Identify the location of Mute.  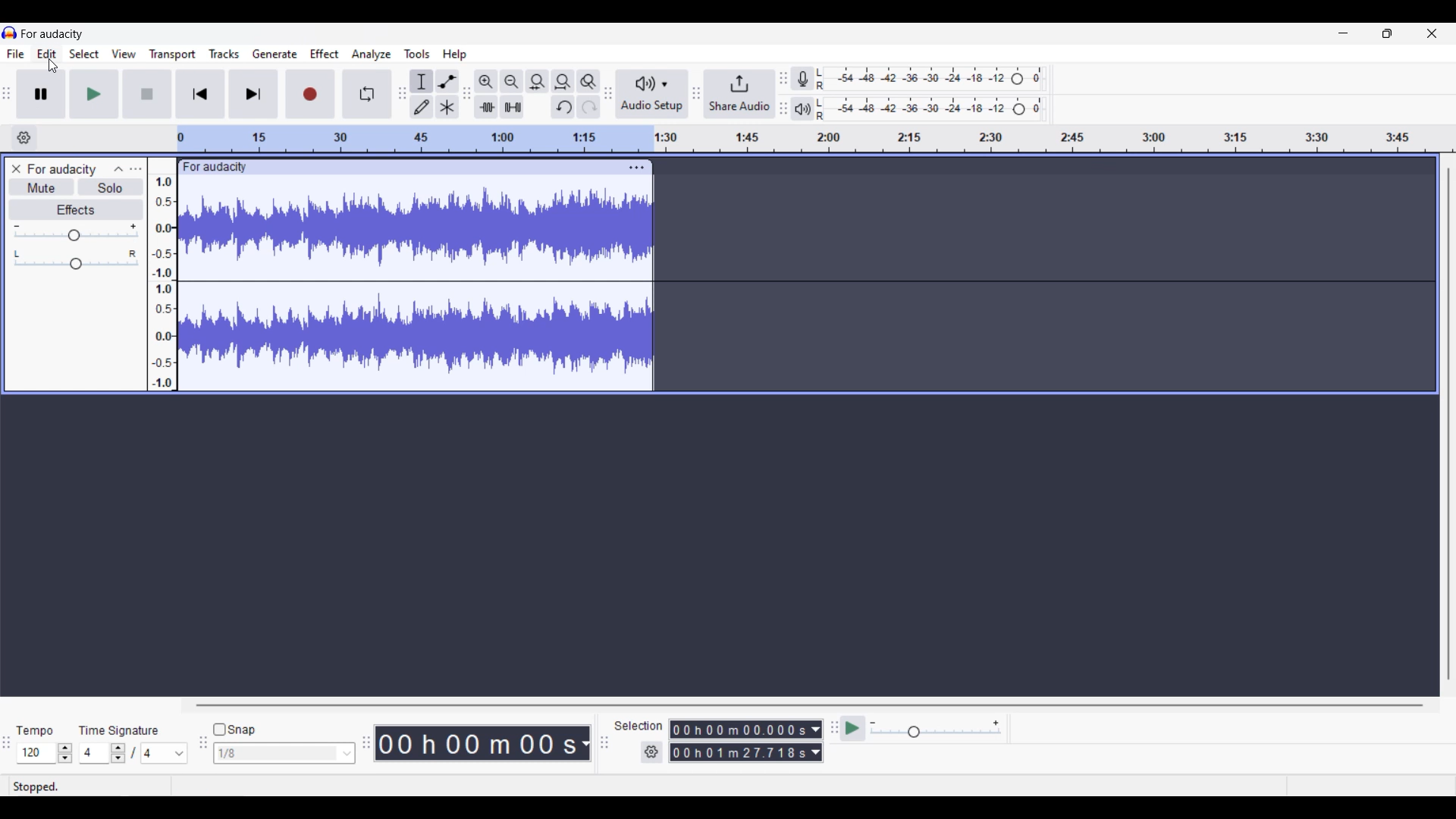
(42, 187).